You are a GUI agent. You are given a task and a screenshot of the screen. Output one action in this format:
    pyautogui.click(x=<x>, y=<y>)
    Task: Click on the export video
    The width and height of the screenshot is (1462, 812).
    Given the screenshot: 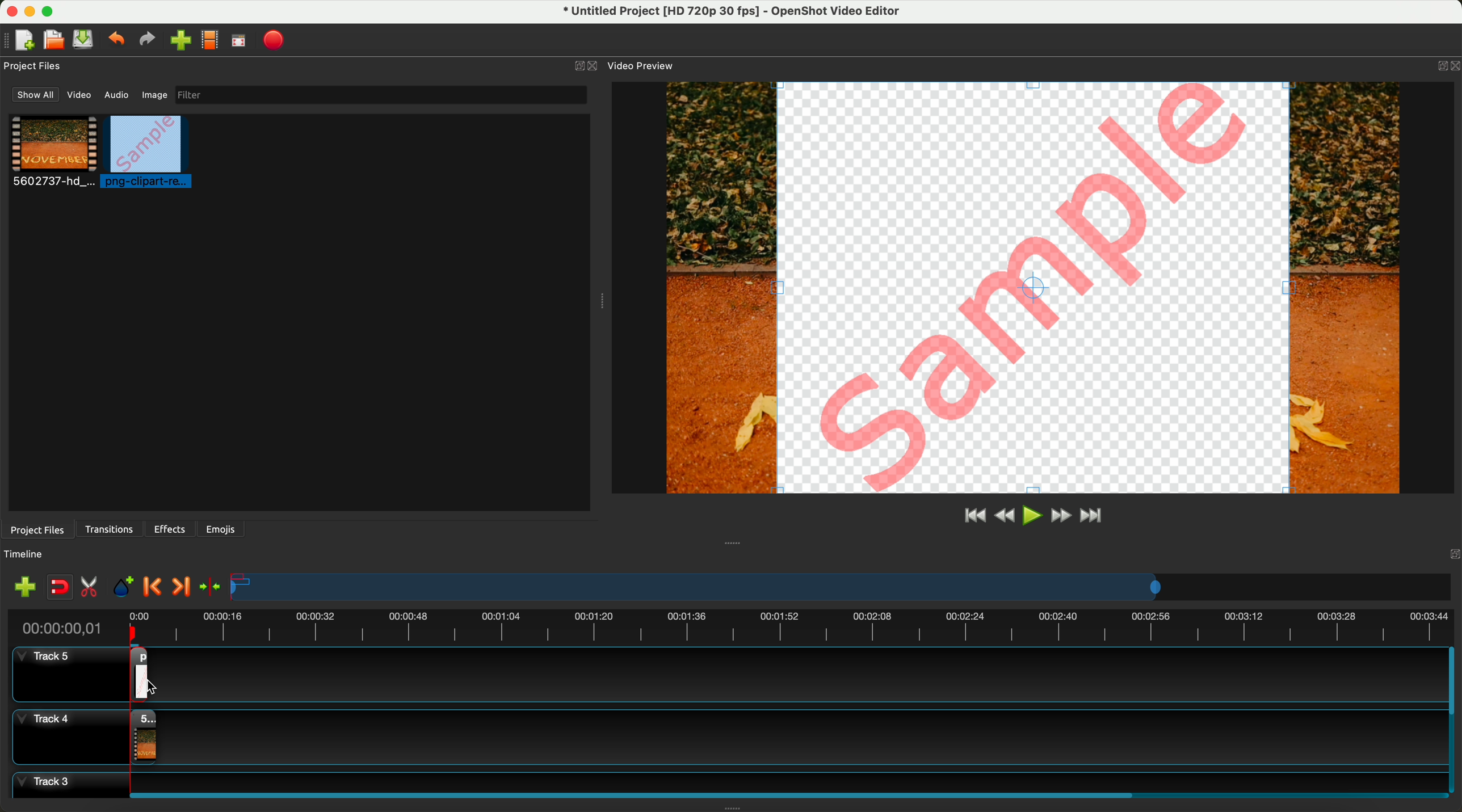 What is the action you would take?
    pyautogui.click(x=278, y=40)
    